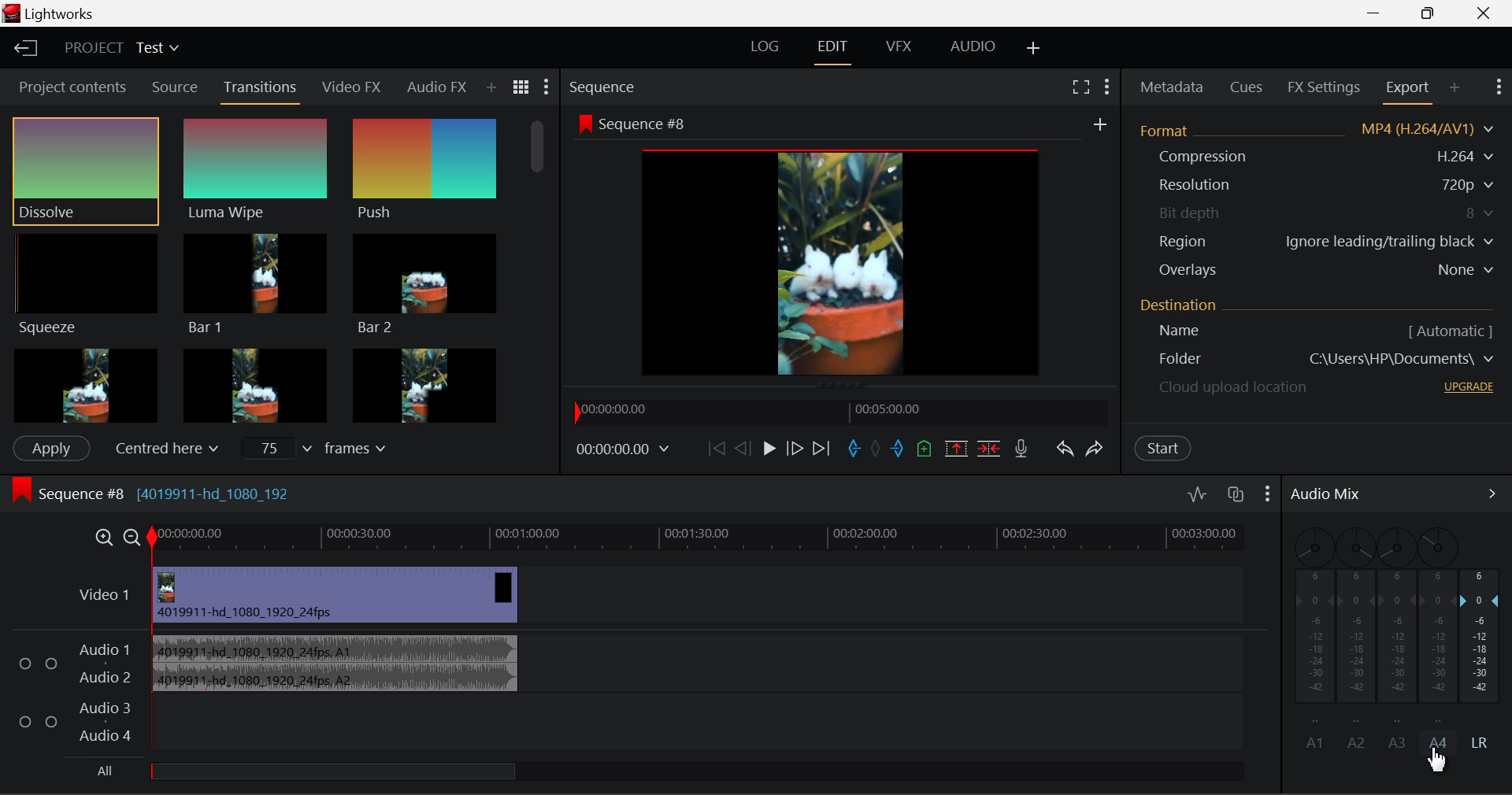  What do you see at coordinates (175, 87) in the screenshot?
I see `Source` at bounding box center [175, 87].